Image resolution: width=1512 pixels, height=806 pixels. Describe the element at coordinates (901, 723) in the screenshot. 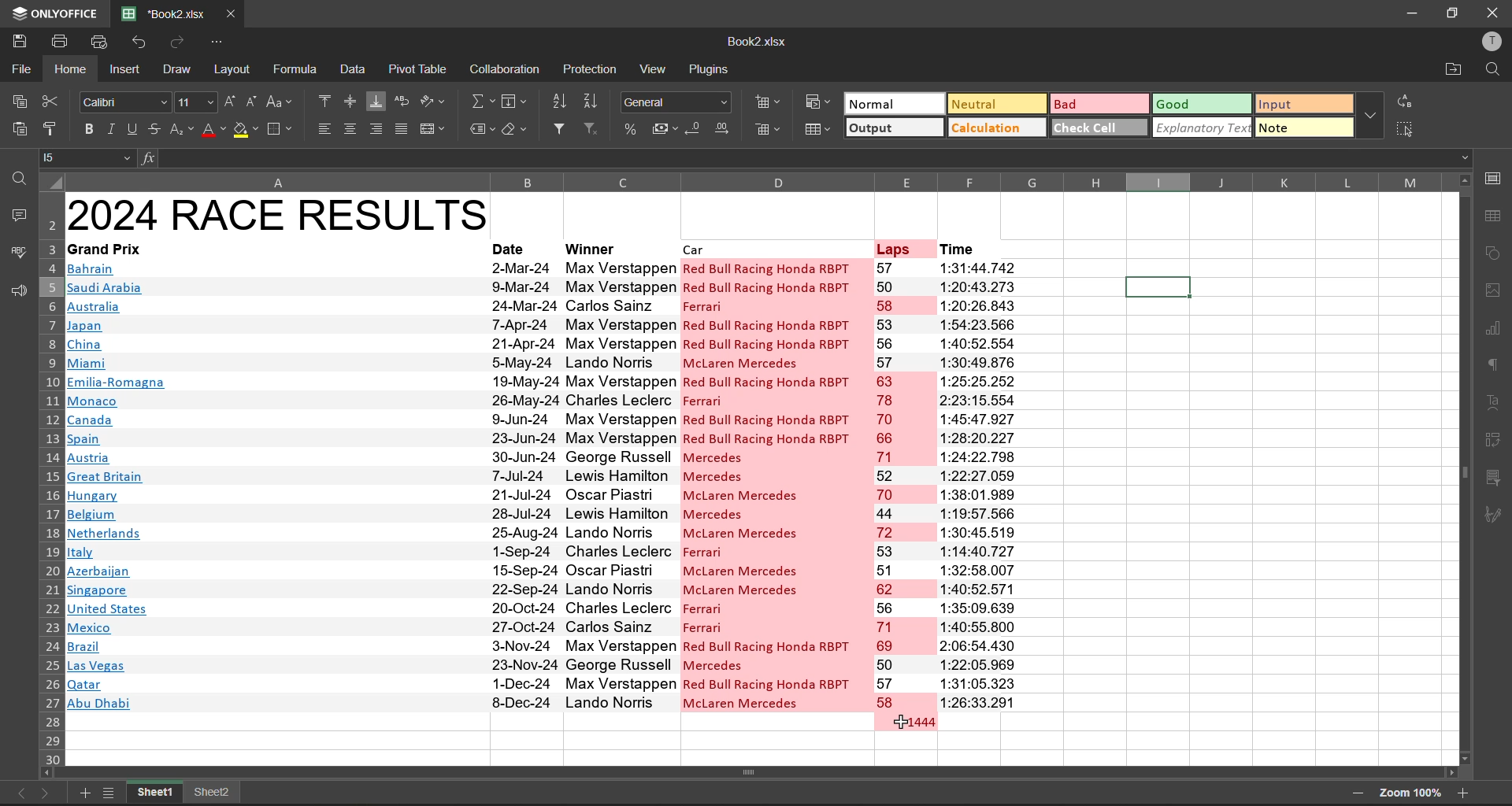

I see `cursor` at that location.